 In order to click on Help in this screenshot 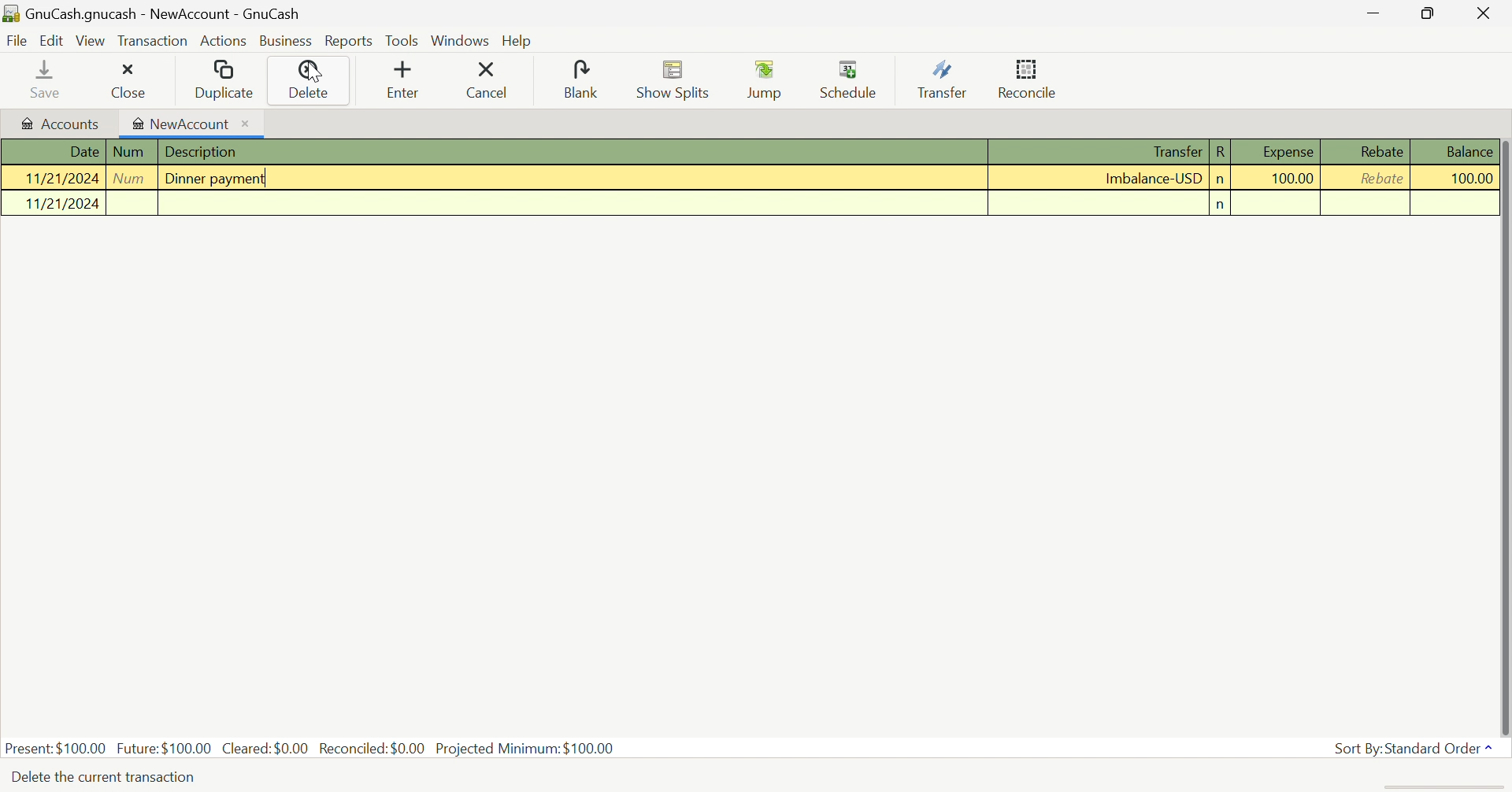, I will do `click(517, 40)`.